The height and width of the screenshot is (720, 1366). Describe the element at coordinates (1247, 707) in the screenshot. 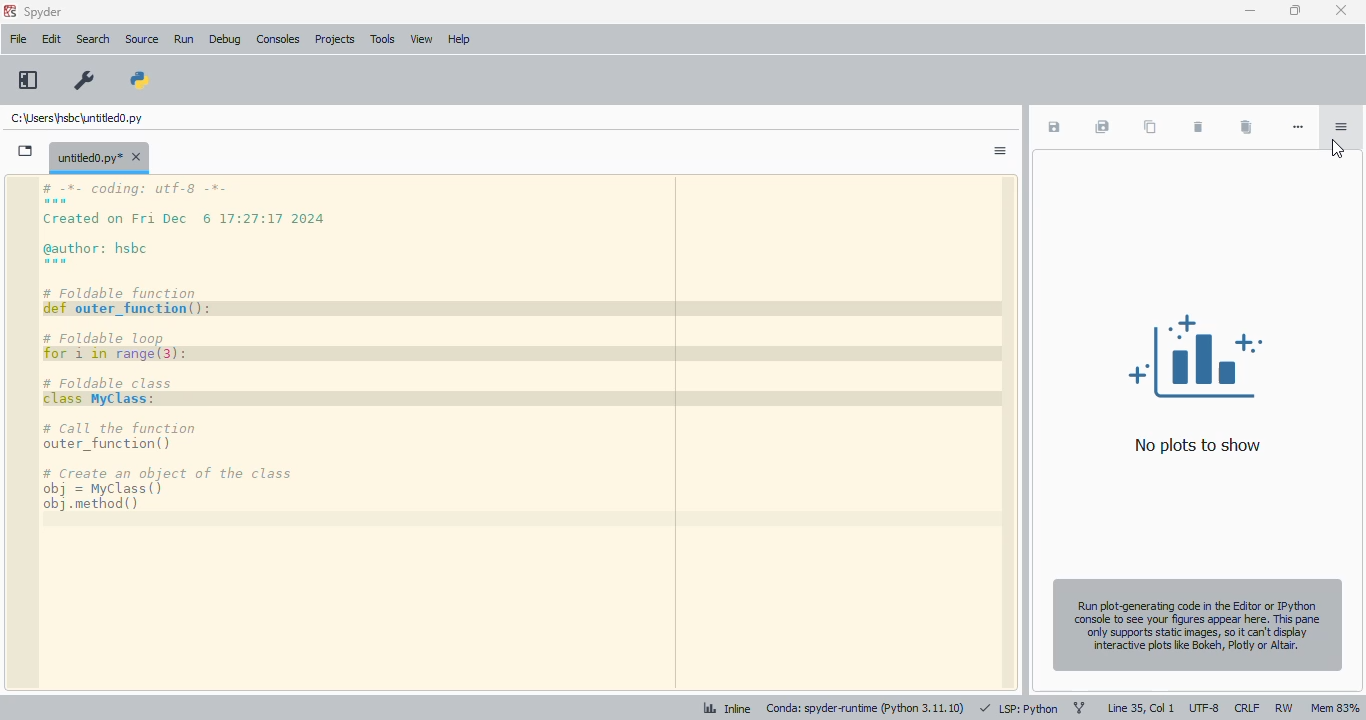

I see `CRLF` at that location.